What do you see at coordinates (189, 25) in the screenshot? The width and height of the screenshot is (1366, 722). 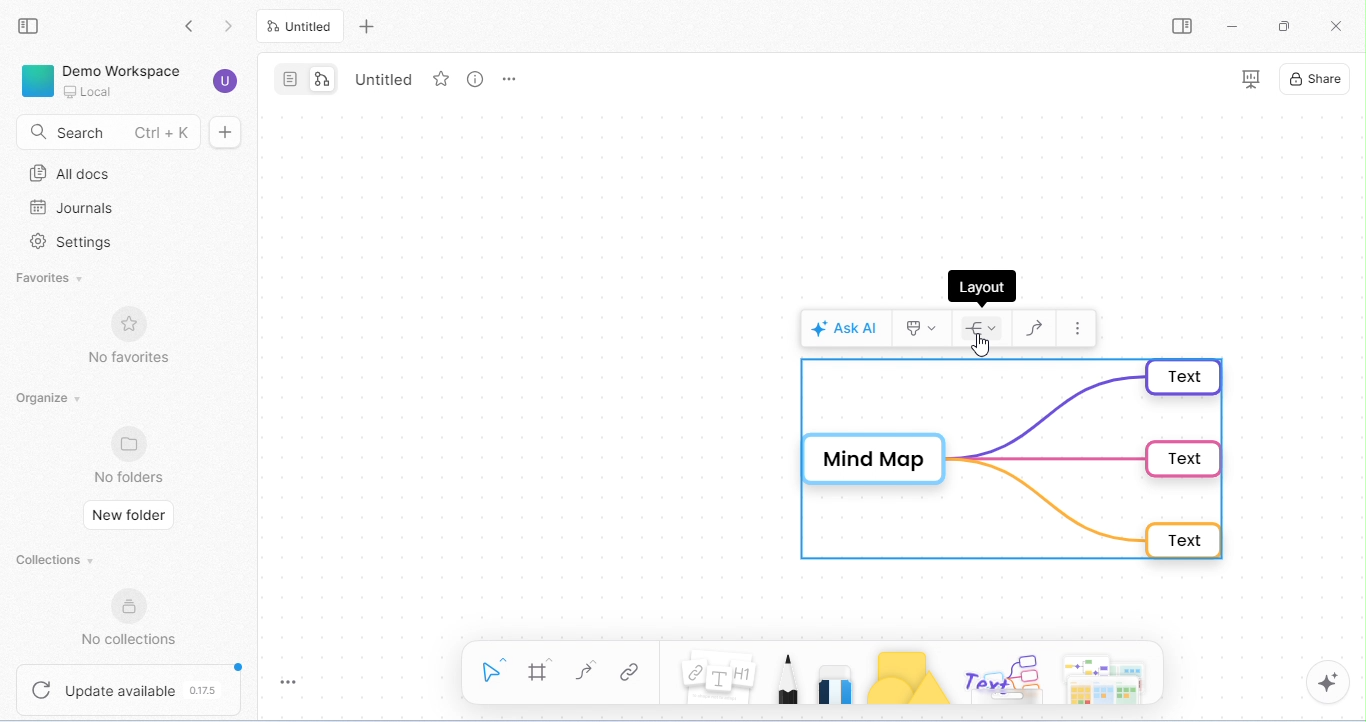 I see `go back` at bounding box center [189, 25].